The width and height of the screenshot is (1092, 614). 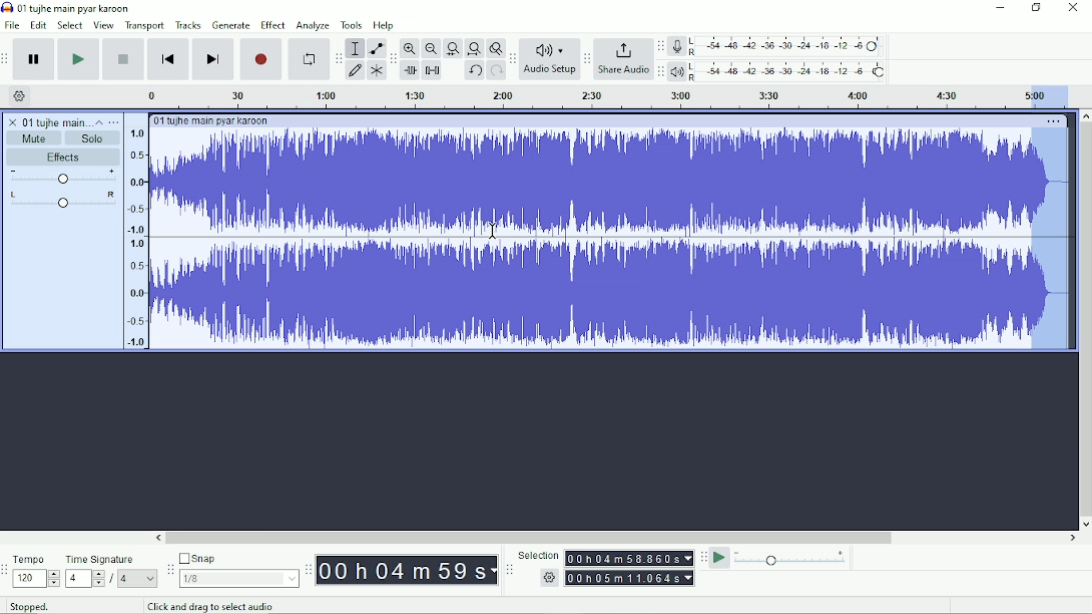 I want to click on Effect, so click(x=274, y=25).